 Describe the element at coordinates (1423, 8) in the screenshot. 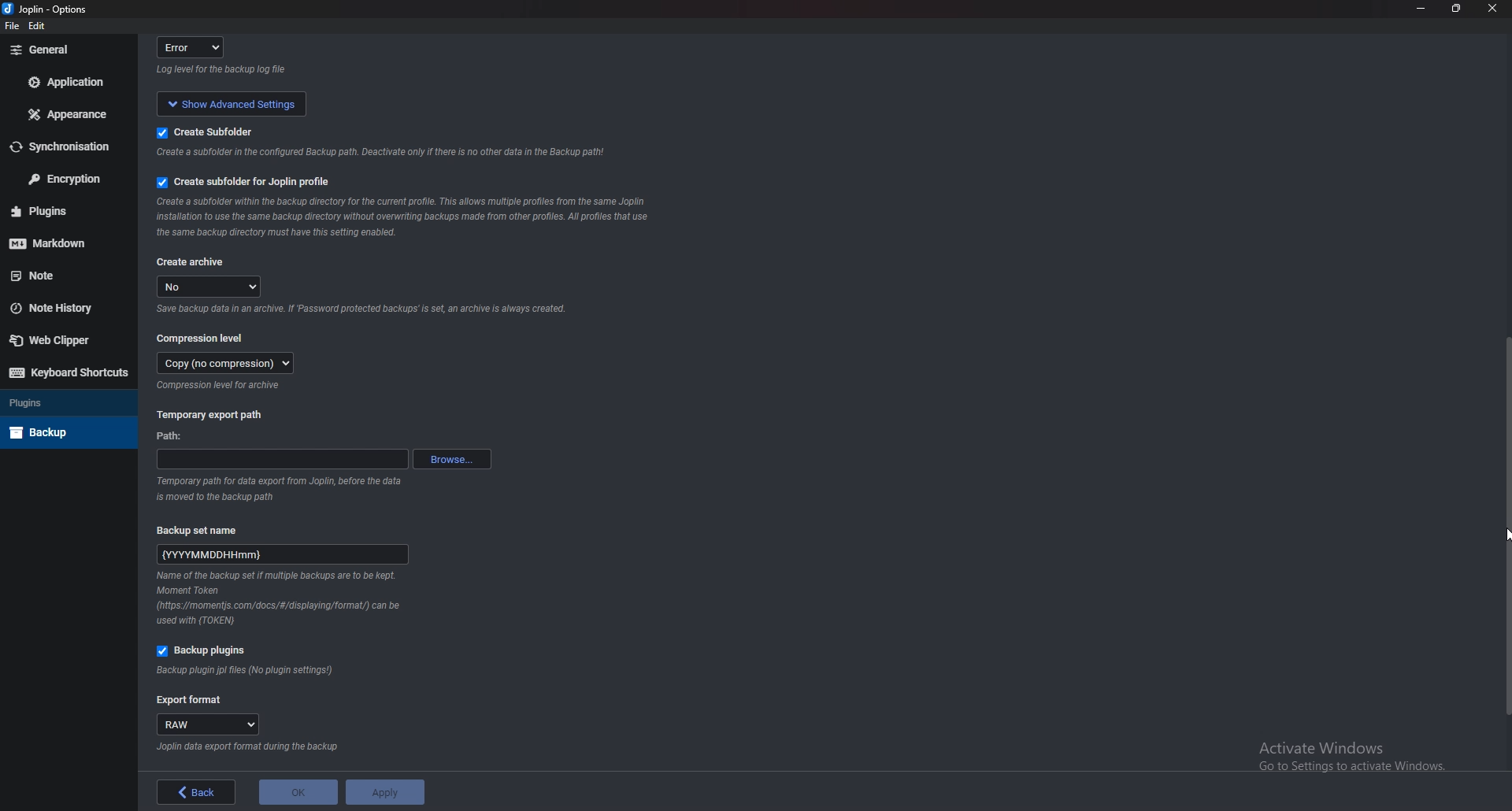

I see `Minimize` at that location.